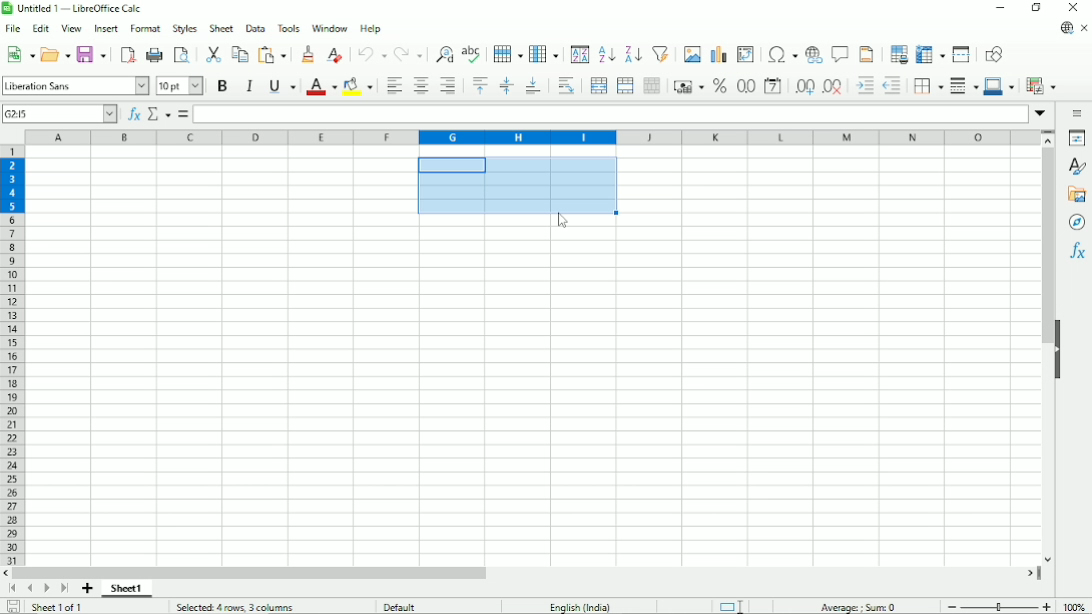  Describe the element at coordinates (133, 114) in the screenshot. I see `Function wizard` at that location.